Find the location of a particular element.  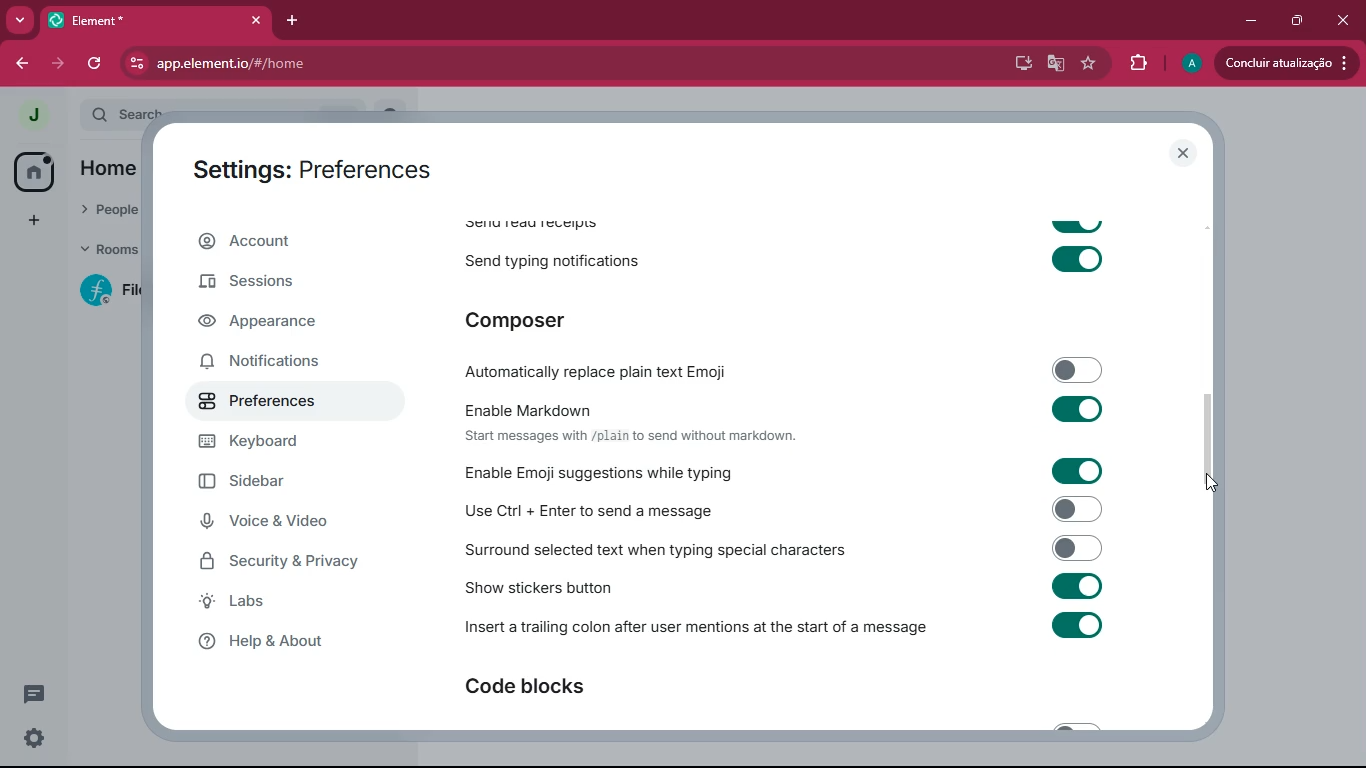

home is located at coordinates (34, 170).